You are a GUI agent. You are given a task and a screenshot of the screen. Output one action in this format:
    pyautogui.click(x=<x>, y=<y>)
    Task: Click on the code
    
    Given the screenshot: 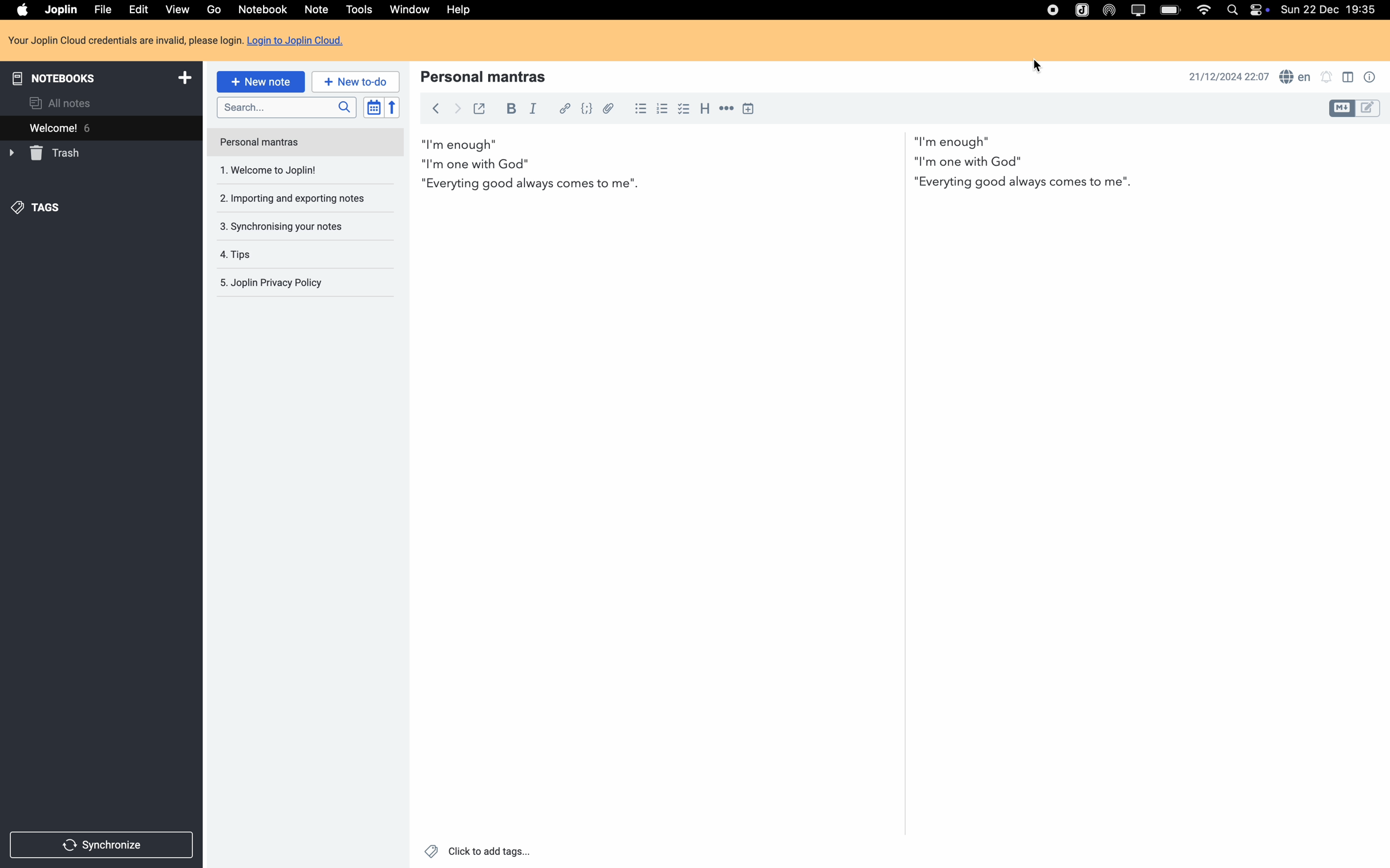 What is the action you would take?
    pyautogui.click(x=587, y=108)
    